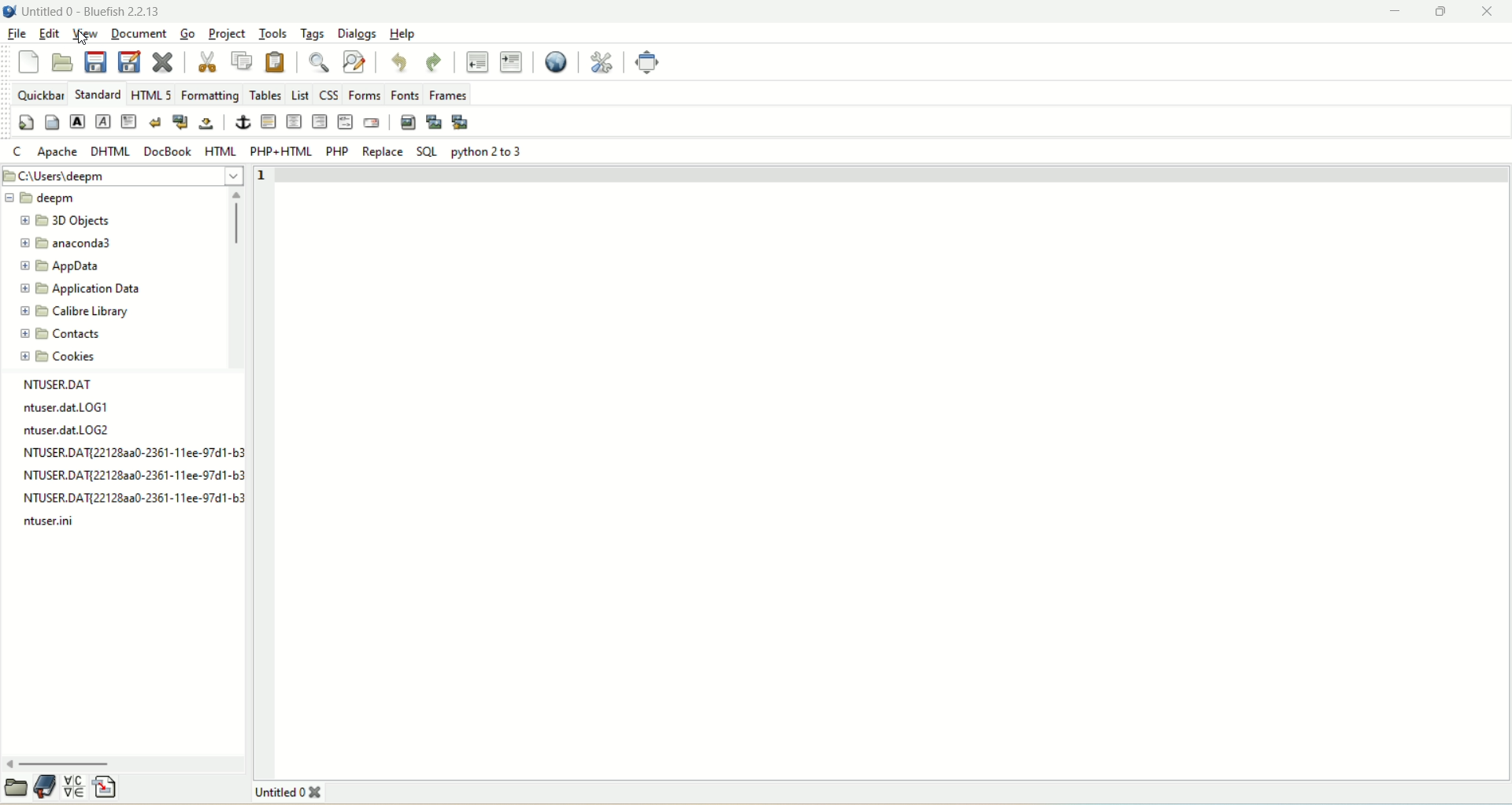  I want to click on close, so click(1490, 13).